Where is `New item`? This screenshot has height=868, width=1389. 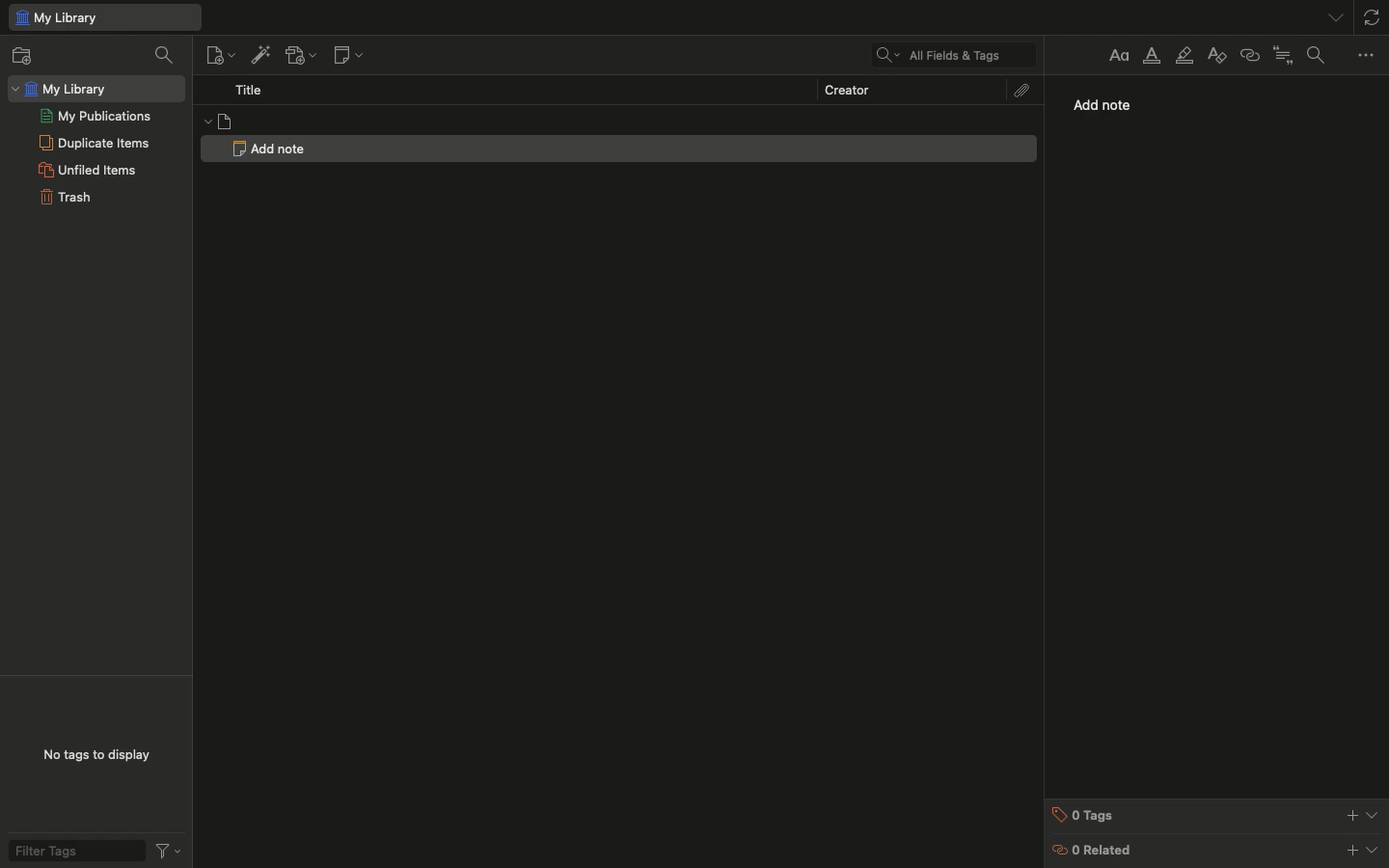
New item is located at coordinates (218, 55).